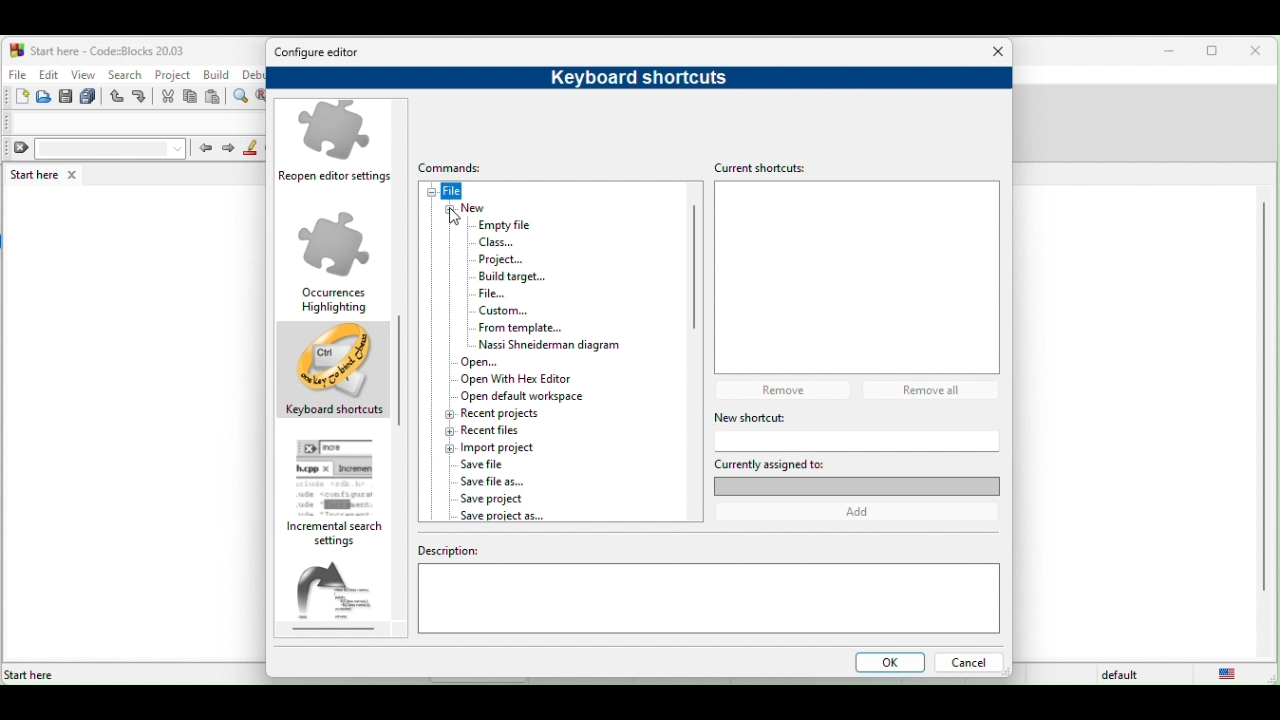 The image size is (1280, 720). What do you see at coordinates (456, 219) in the screenshot?
I see `cursor` at bounding box center [456, 219].